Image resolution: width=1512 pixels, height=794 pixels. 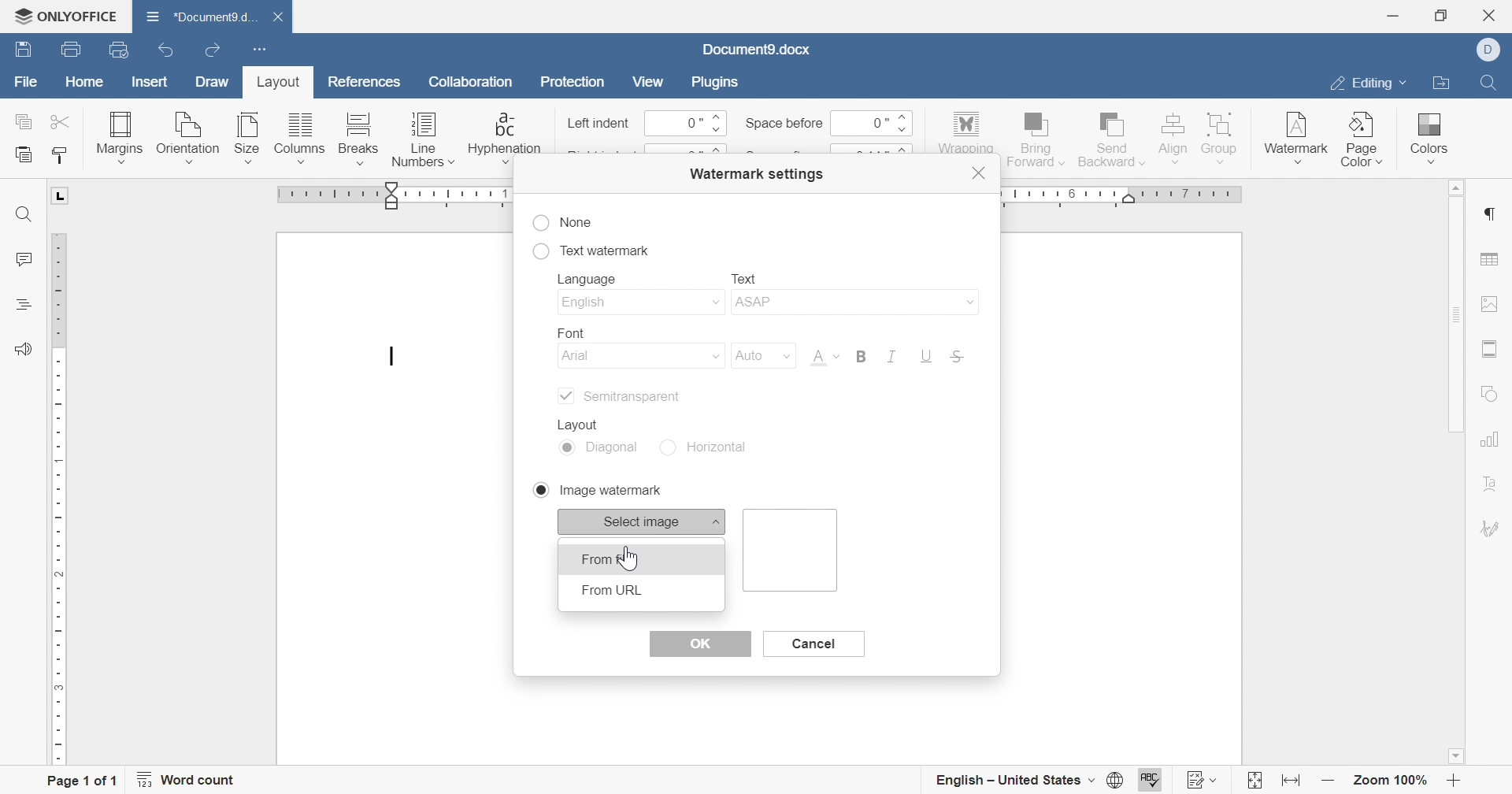 What do you see at coordinates (784, 123) in the screenshot?
I see `space before` at bounding box center [784, 123].